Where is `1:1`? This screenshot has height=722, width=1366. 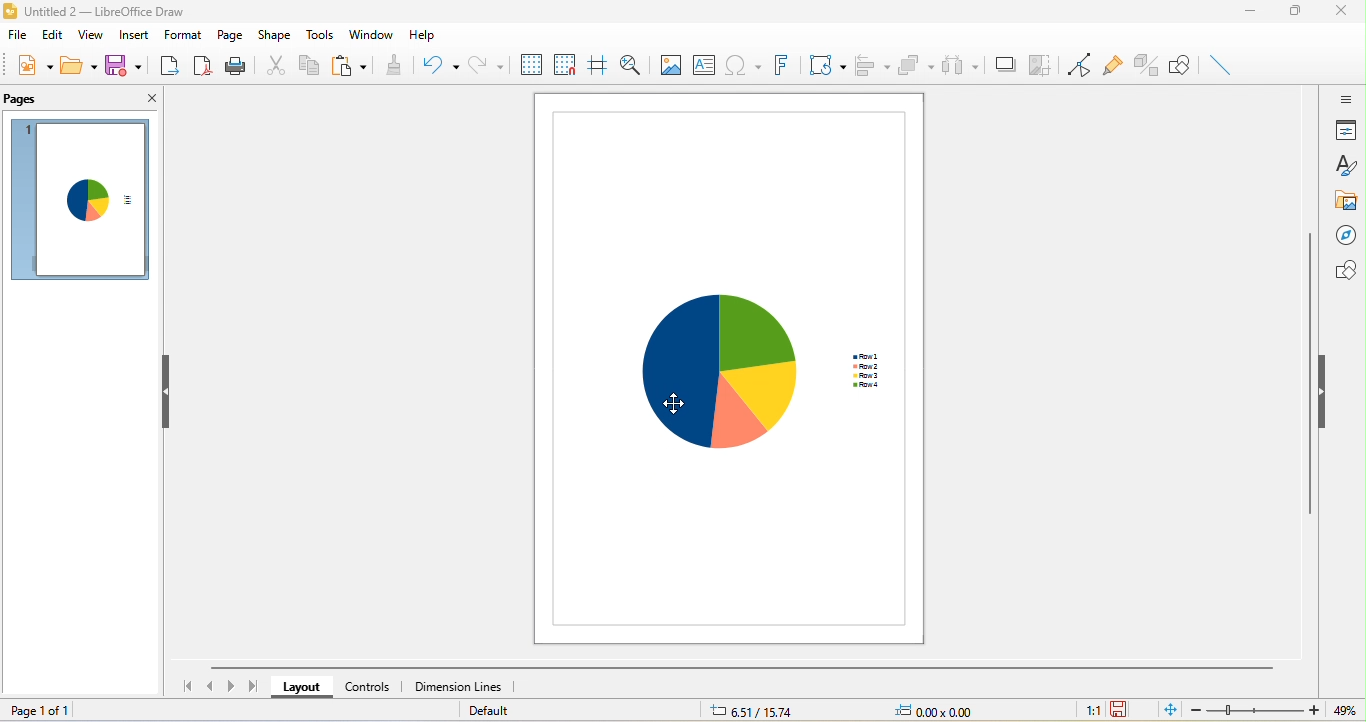
1:1 is located at coordinates (1084, 711).